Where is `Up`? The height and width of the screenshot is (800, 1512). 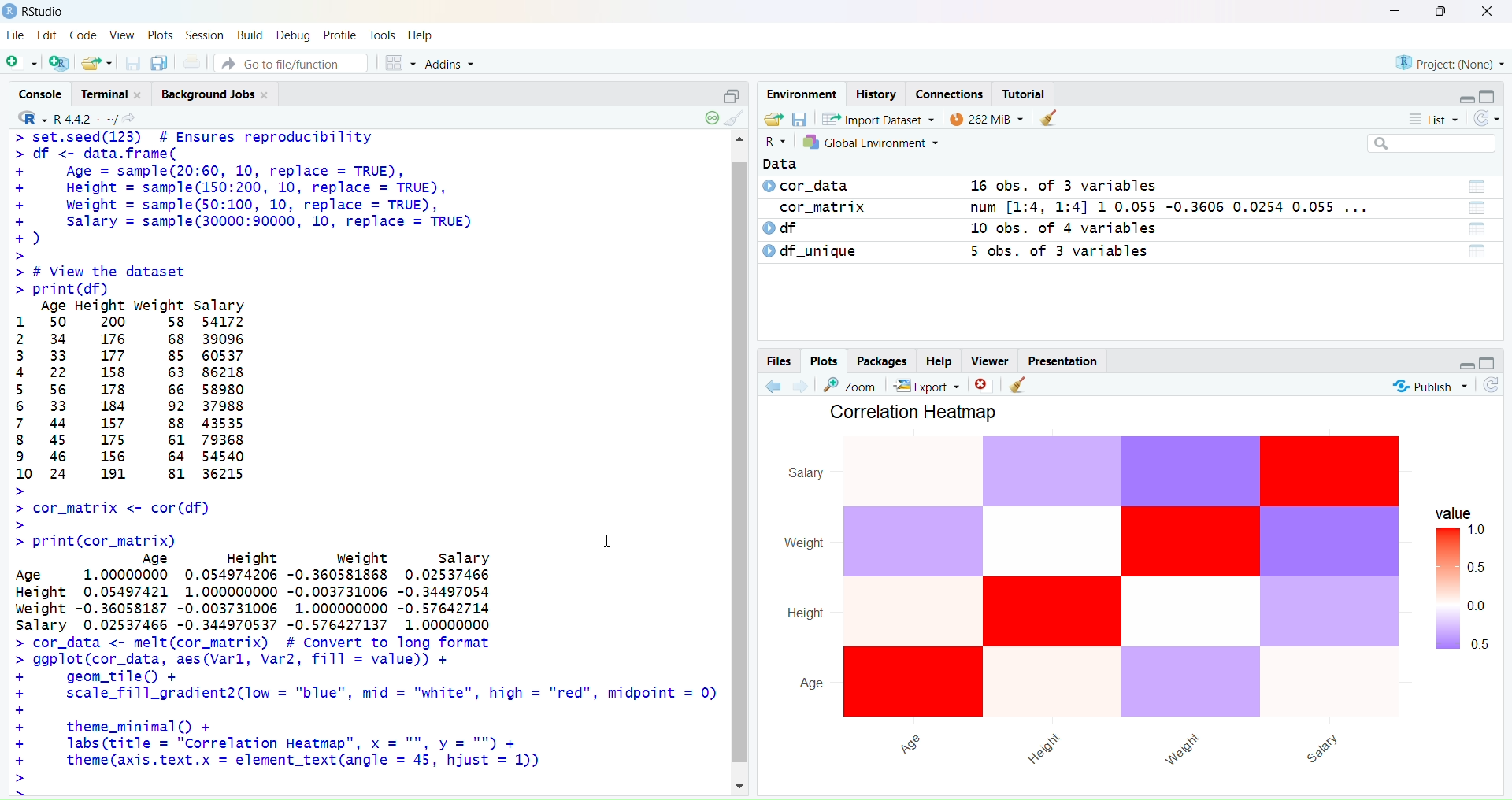
Up is located at coordinates (739, 139).